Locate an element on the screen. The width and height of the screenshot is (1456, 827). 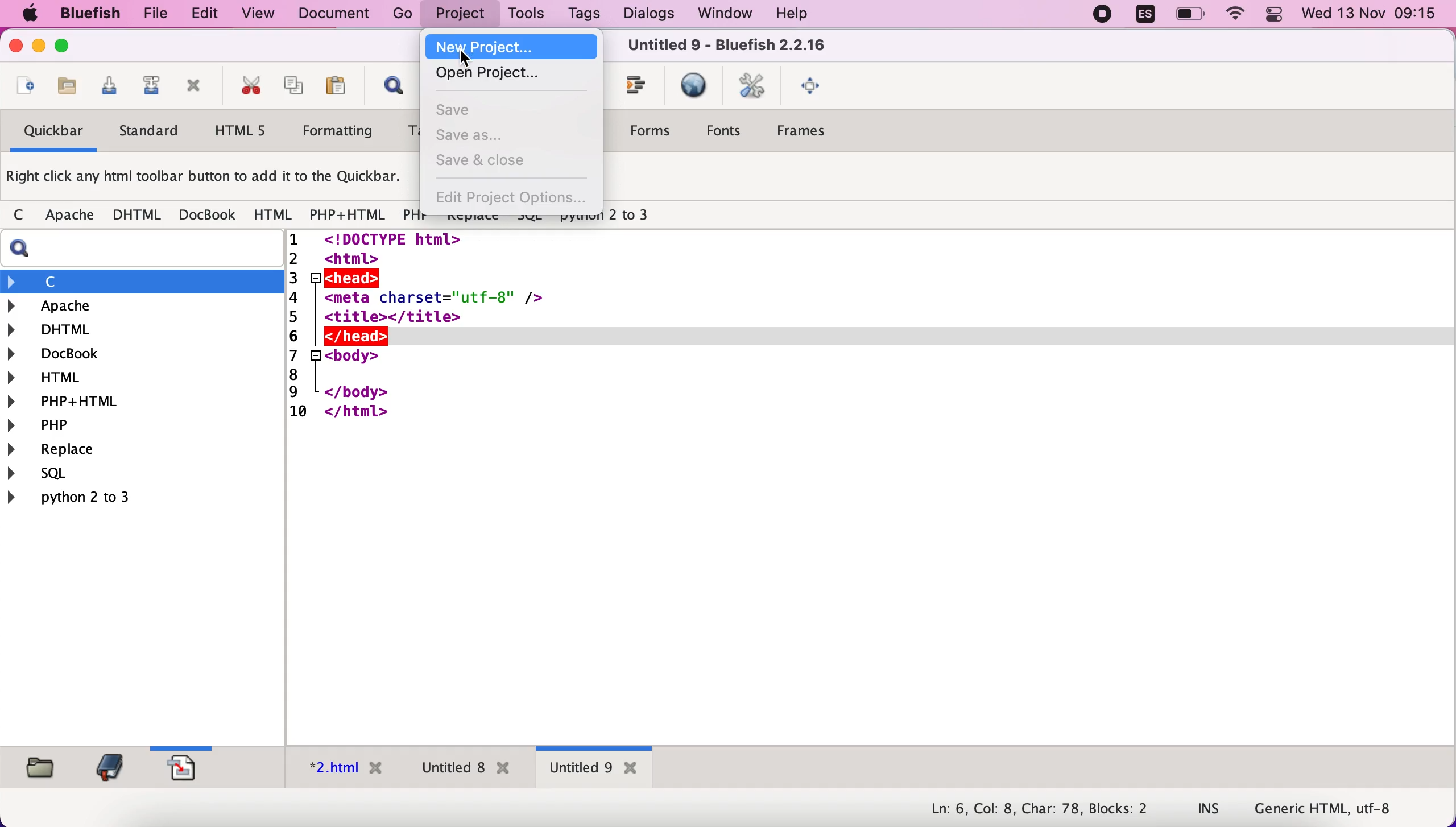
go is located at coordinates (403, 14).